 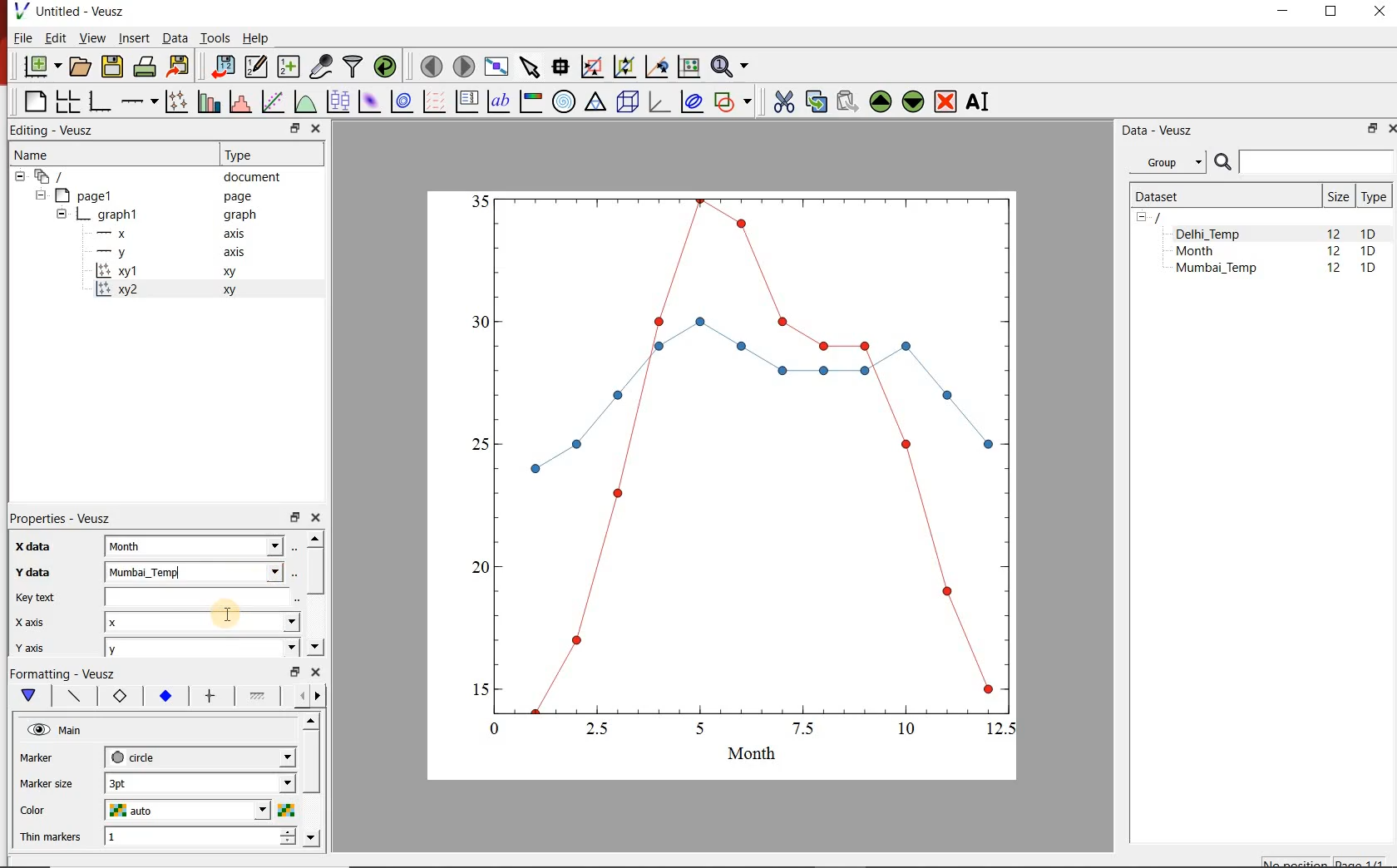 What do you see at coordinates (245, 155) in the screenshot?
I see `Type` at bounding box center [245, 155].